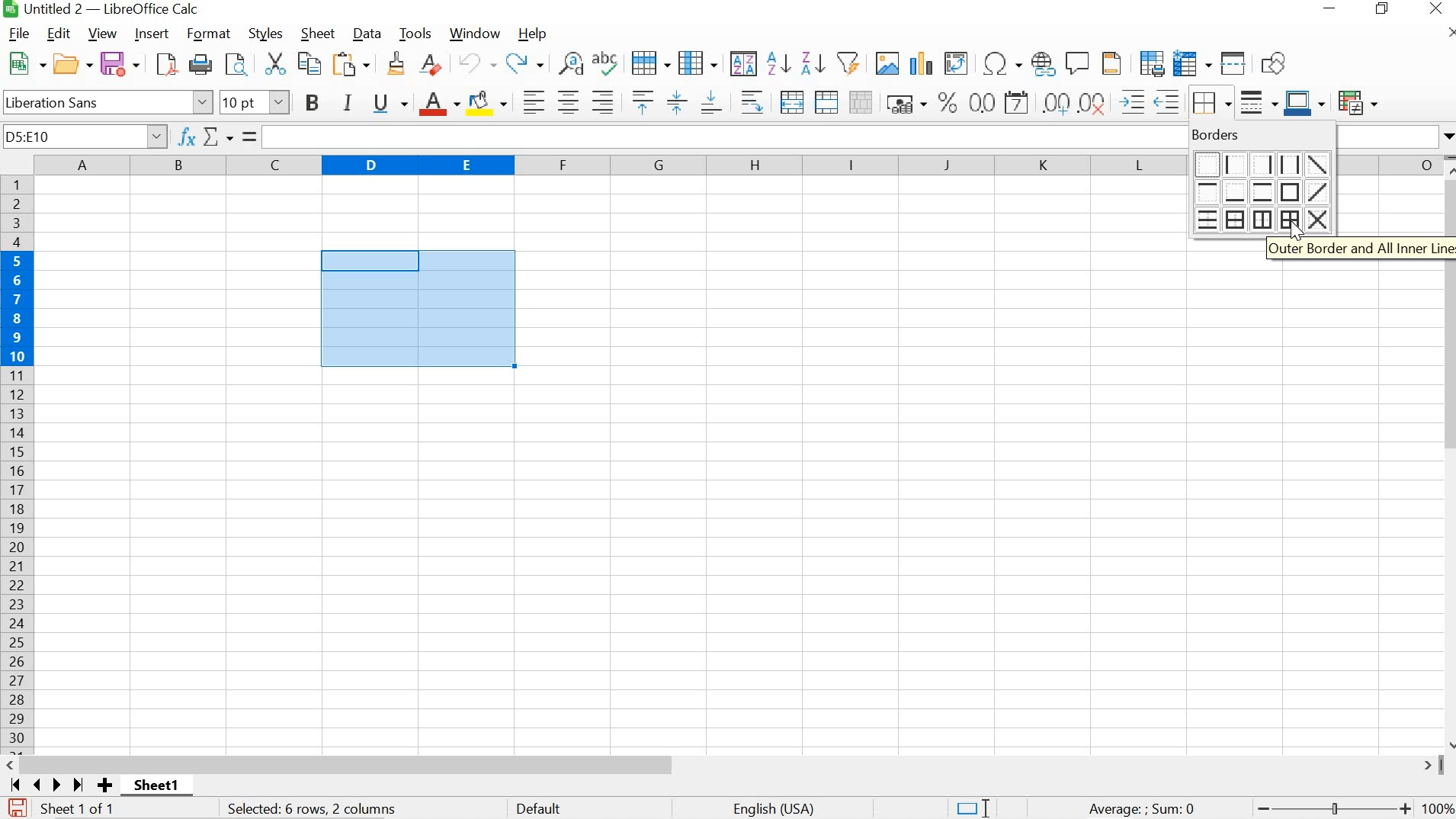 This screenshot has height=819, width=1456. I want to click on merge cells, so click(825, 101).